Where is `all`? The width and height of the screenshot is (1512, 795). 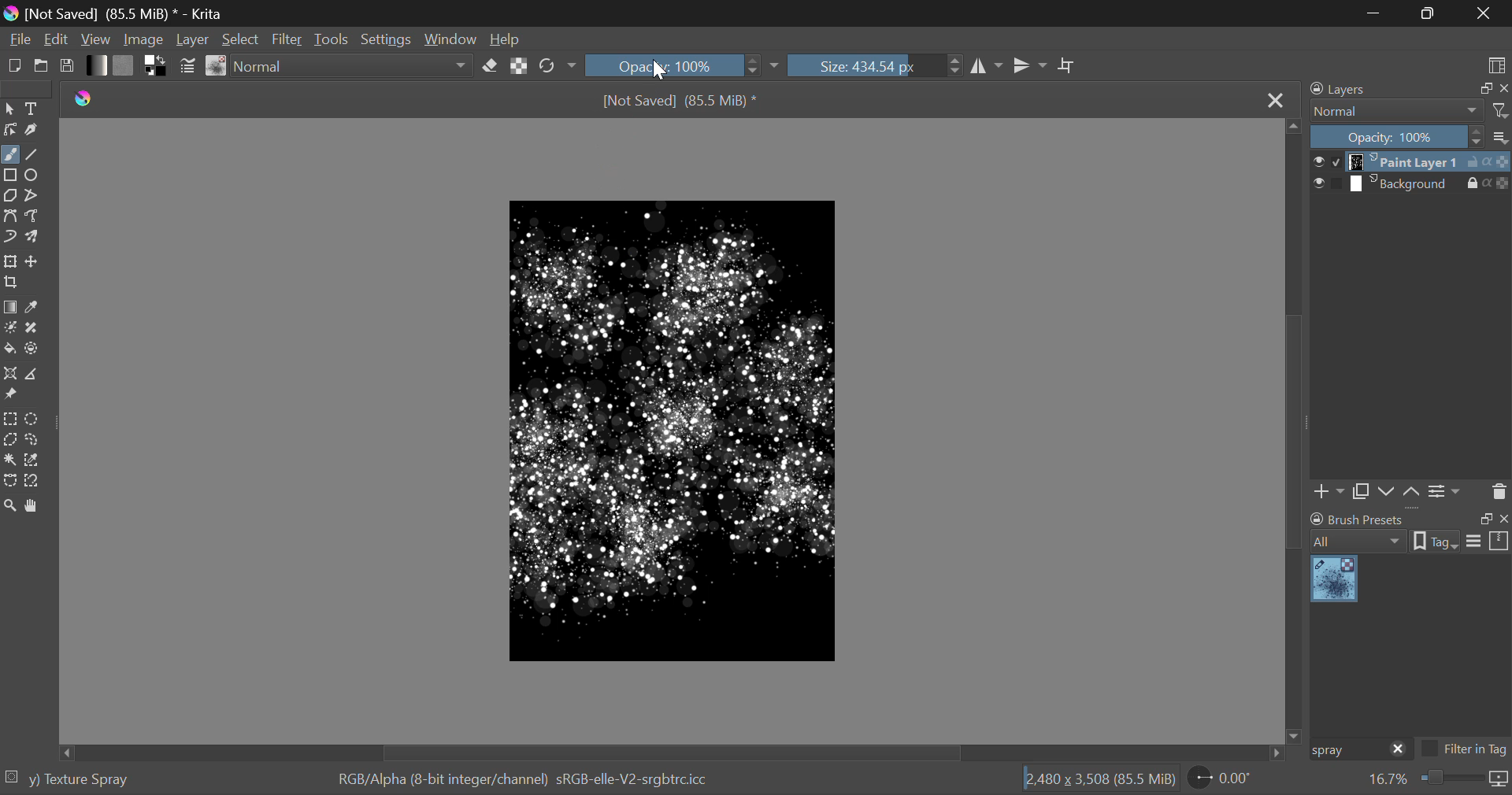 all is located at coordinates (1360, 542).